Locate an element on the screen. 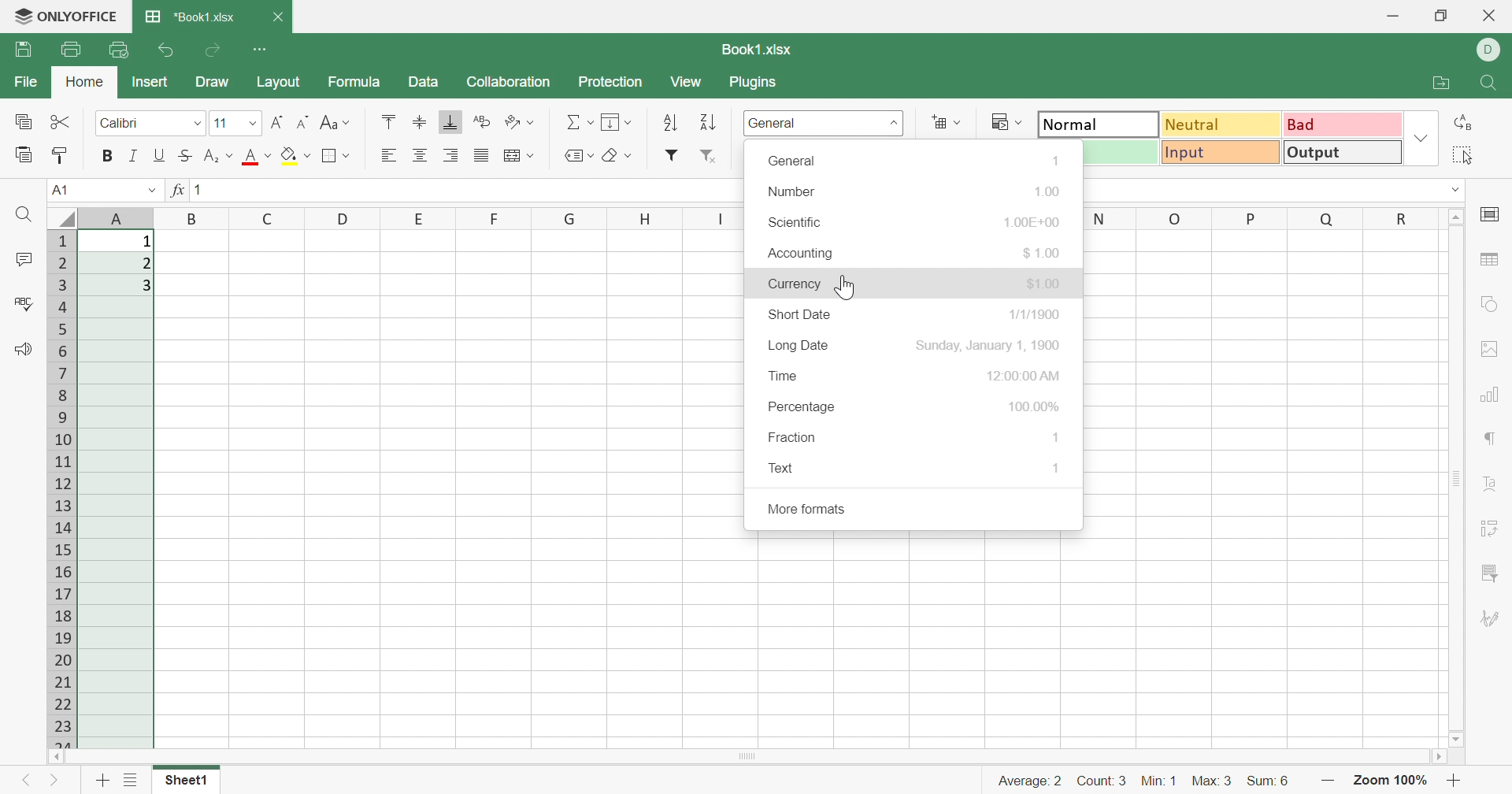 The height and width of the screenshot is (794, 1512). Font size is located at coordinates (235, 123).